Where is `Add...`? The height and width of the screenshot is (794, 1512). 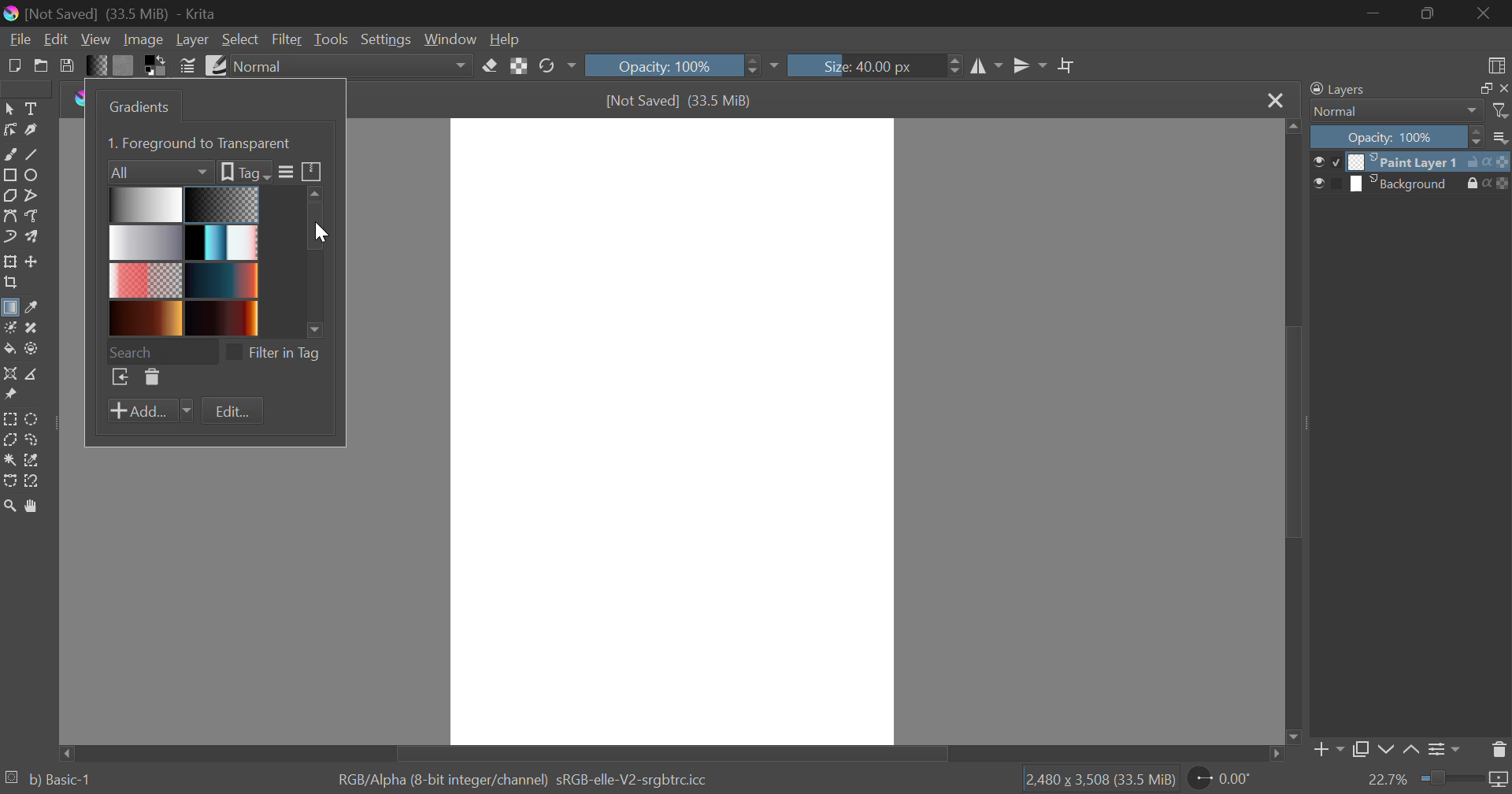 Add... is located at coordinates (150, 411).